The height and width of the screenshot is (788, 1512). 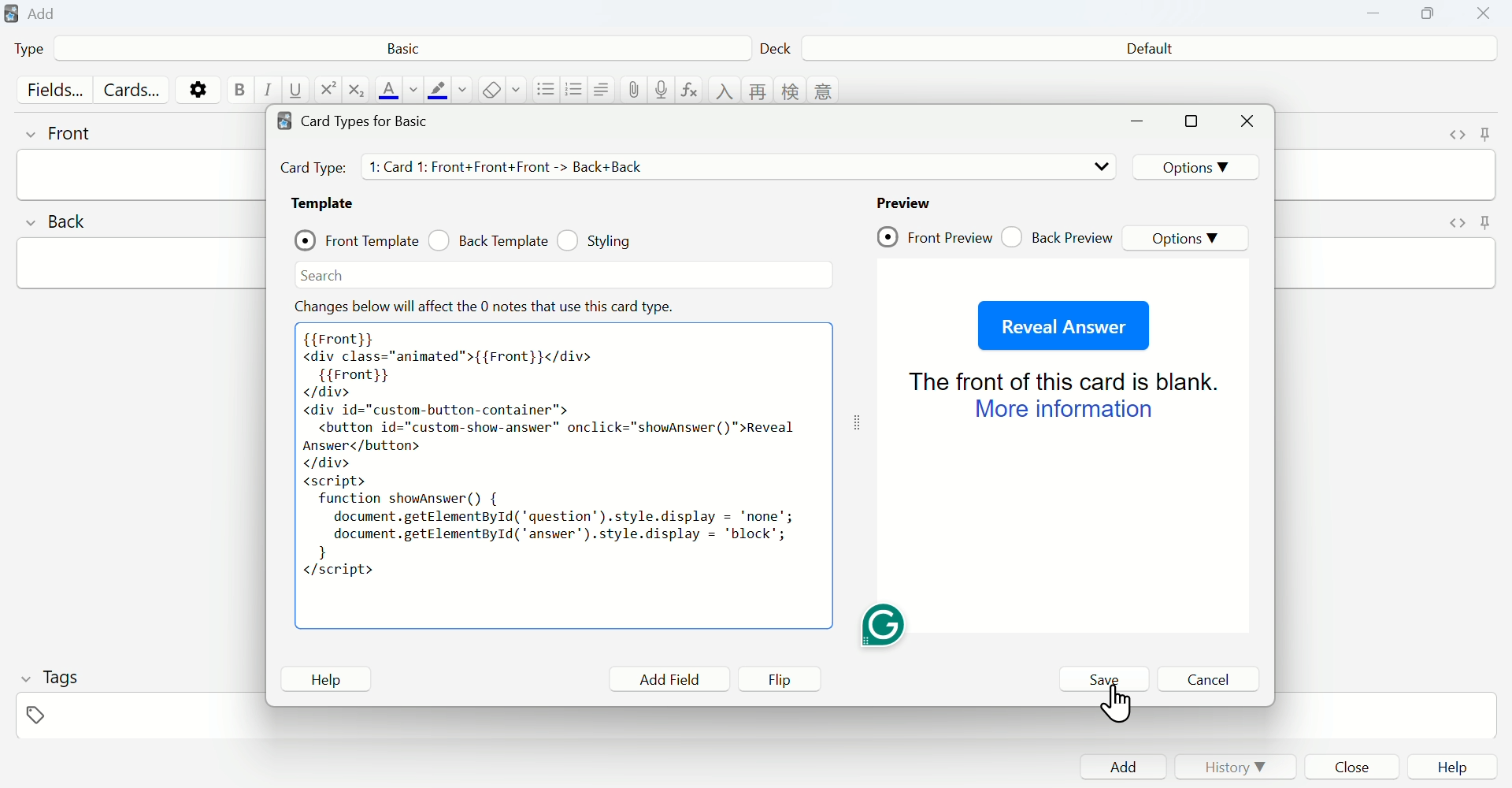 What do you see at coordinates (1072, 480) in the screenshot?
I see `Preview page` at bounding box center [1072, 480].